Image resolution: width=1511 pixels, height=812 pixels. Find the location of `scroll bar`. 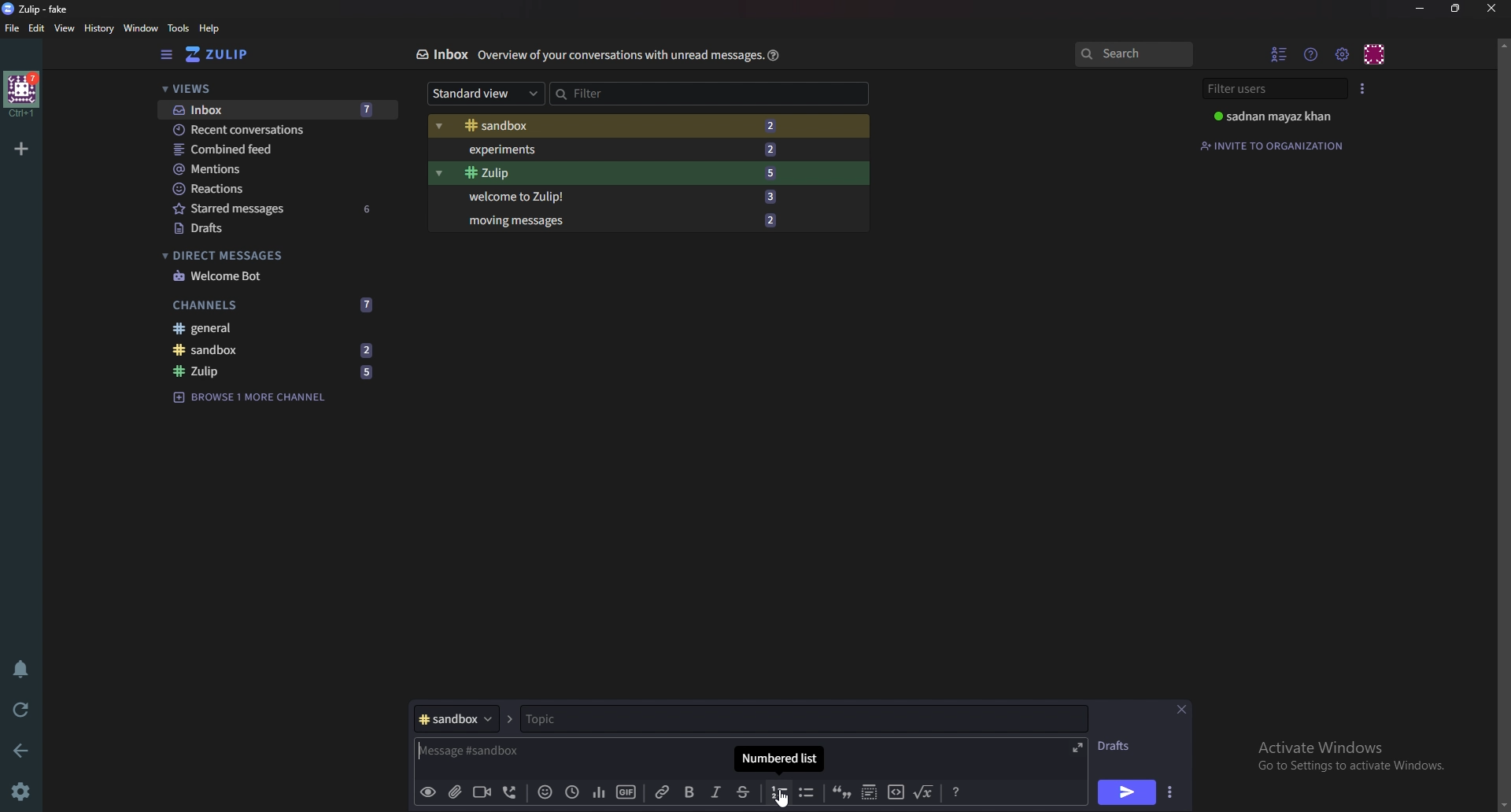

scroll bar is located at coordinates (1503, 423).